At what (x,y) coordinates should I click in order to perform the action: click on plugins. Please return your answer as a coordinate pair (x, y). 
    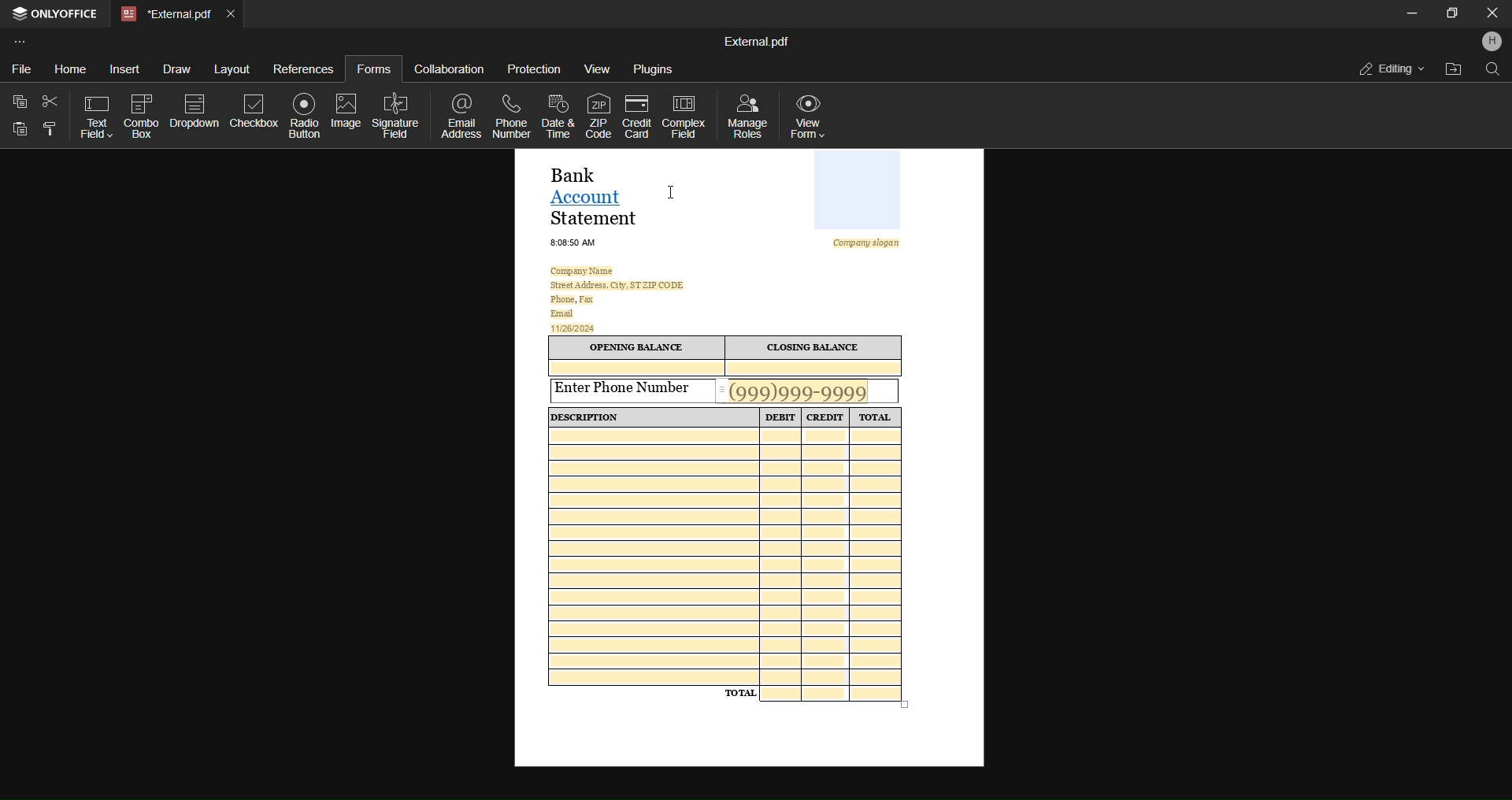
    Looking at the image, I should click on (654, 70).